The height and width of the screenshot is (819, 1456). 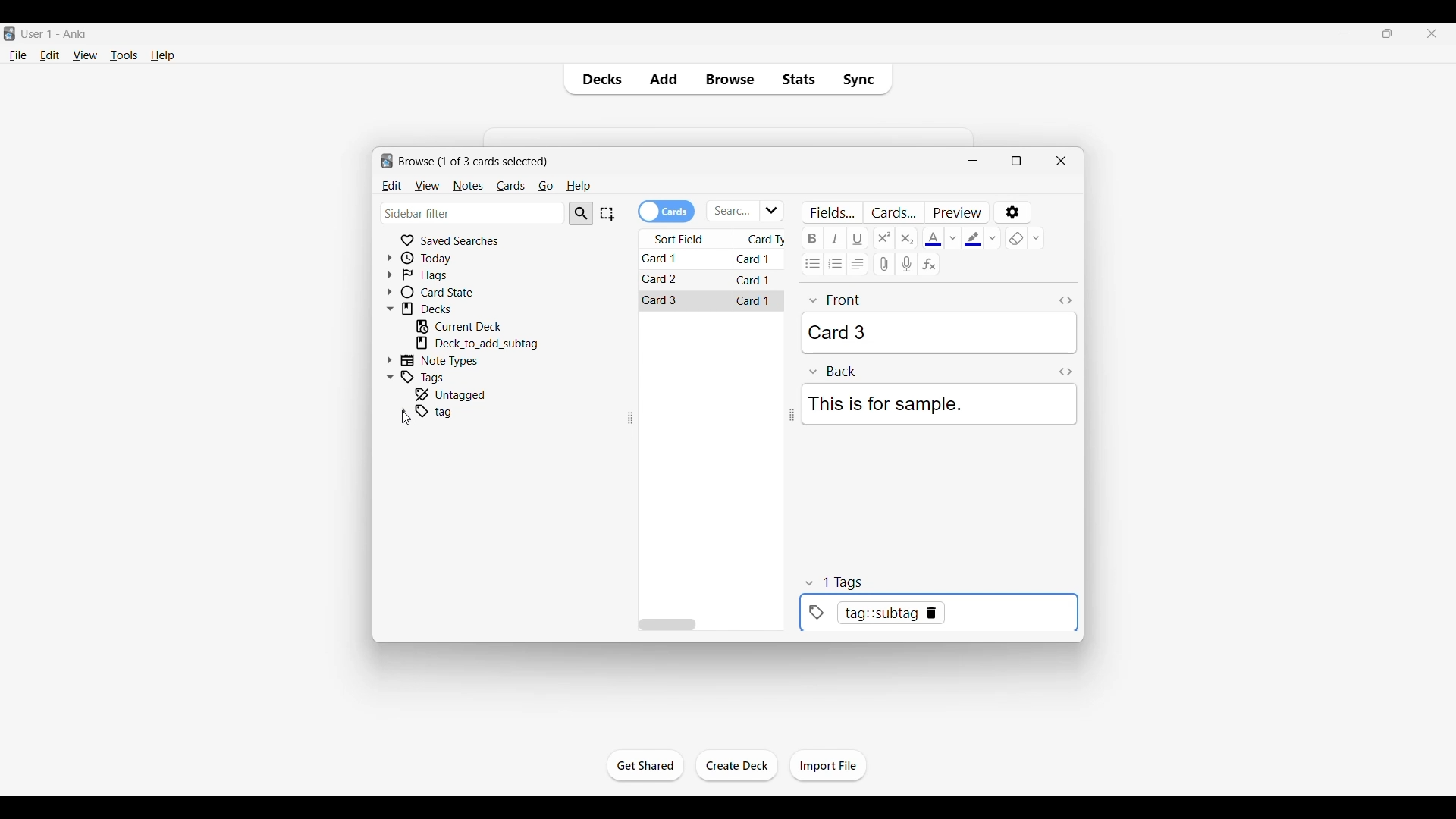 I want to click on Go menu, so click(x=545, y=187).